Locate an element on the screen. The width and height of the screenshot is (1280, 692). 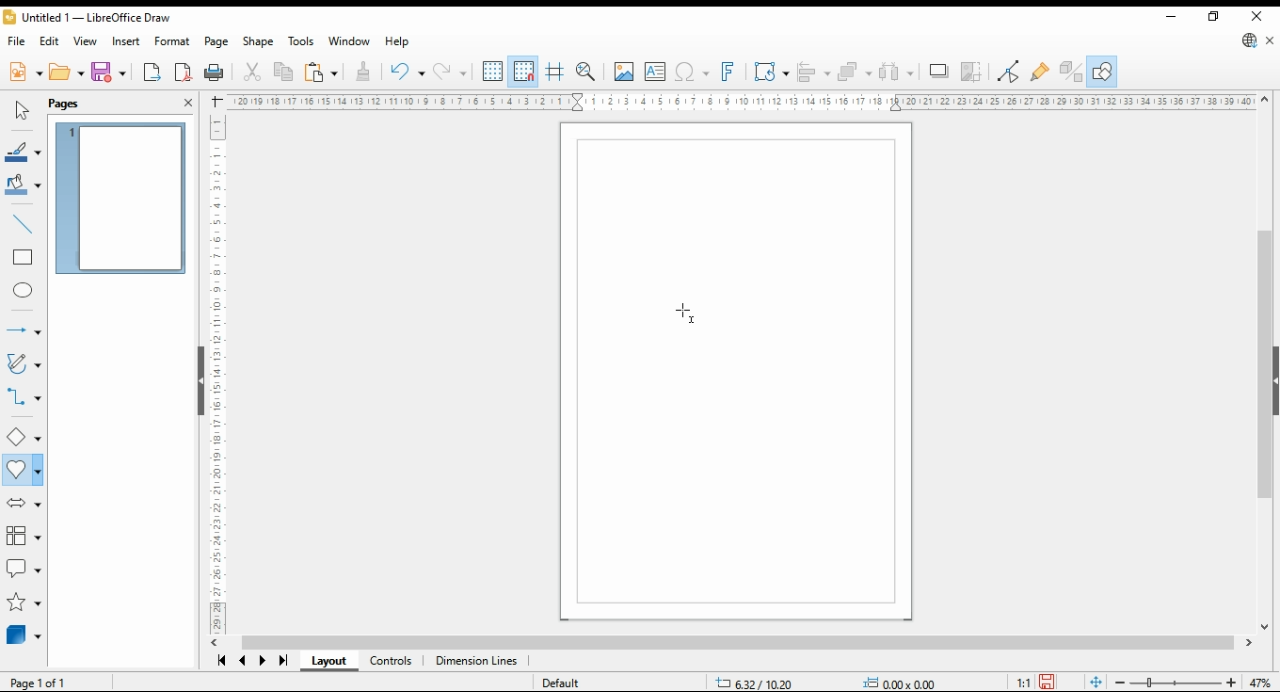
minimize is located at coordinates (1170, 16).